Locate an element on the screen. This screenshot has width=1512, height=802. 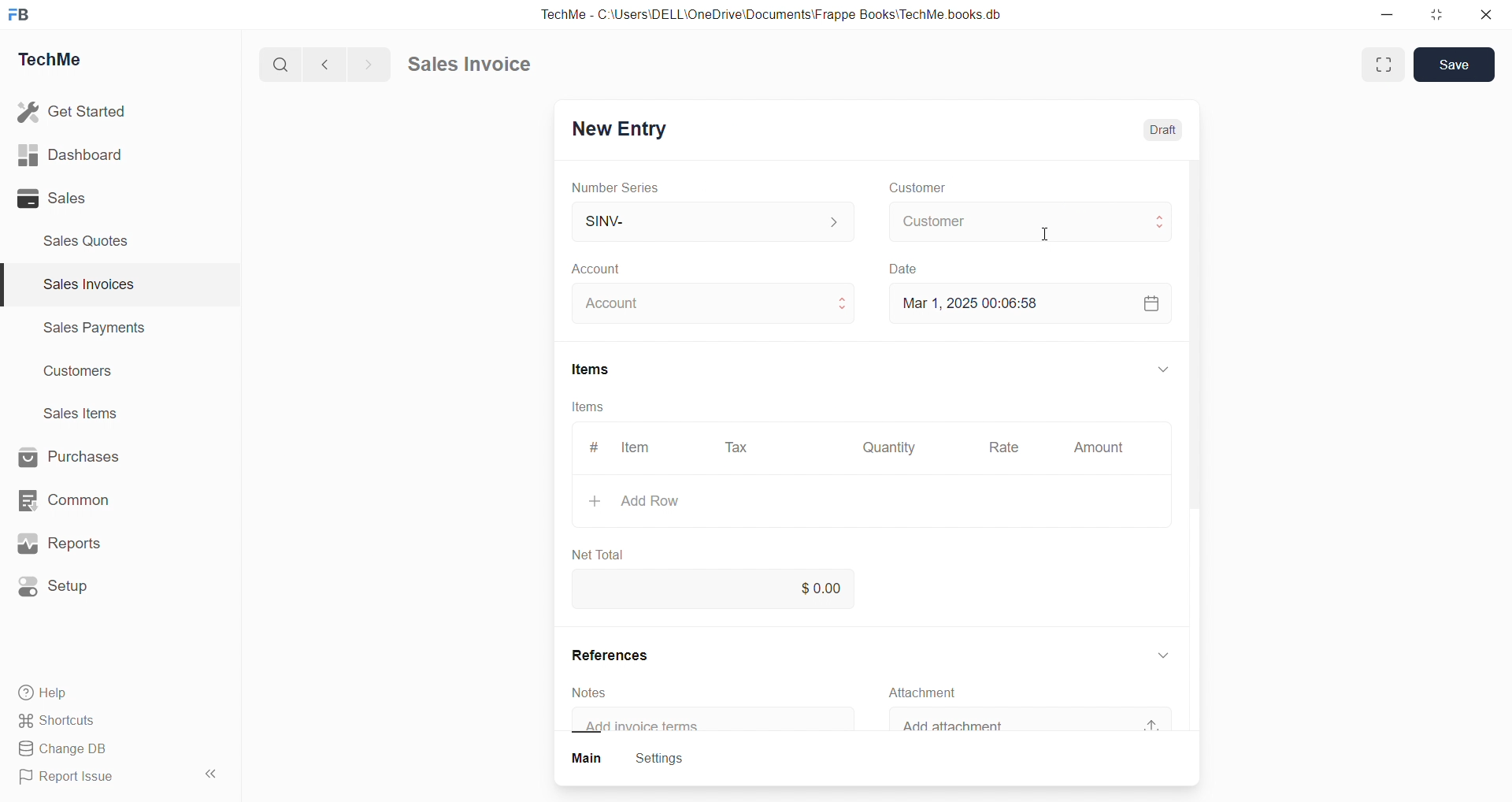
doopdown is located at coordinates (1161, 366).